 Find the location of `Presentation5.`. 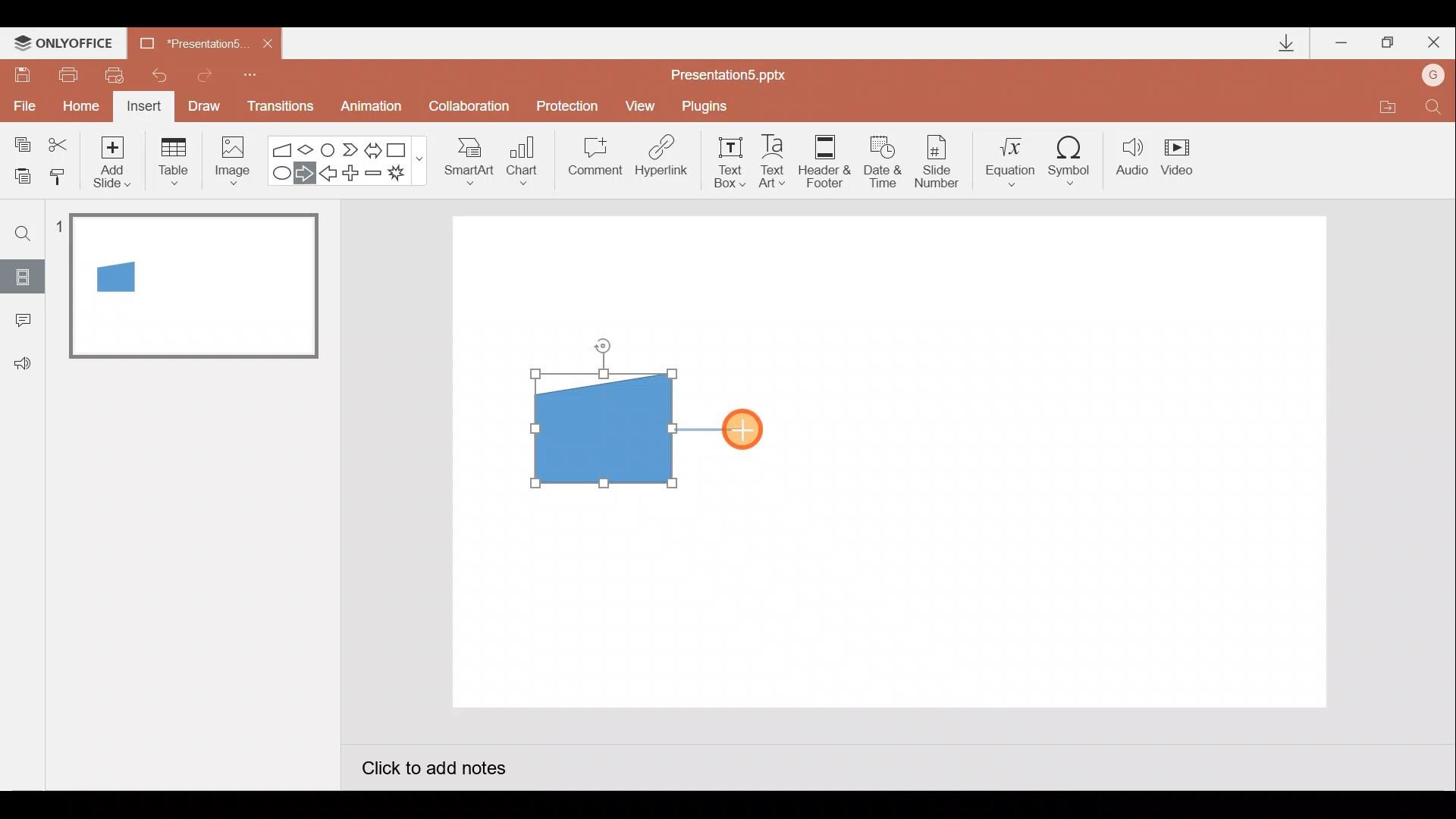

Presentation5. is located at coordinates (187, 41).